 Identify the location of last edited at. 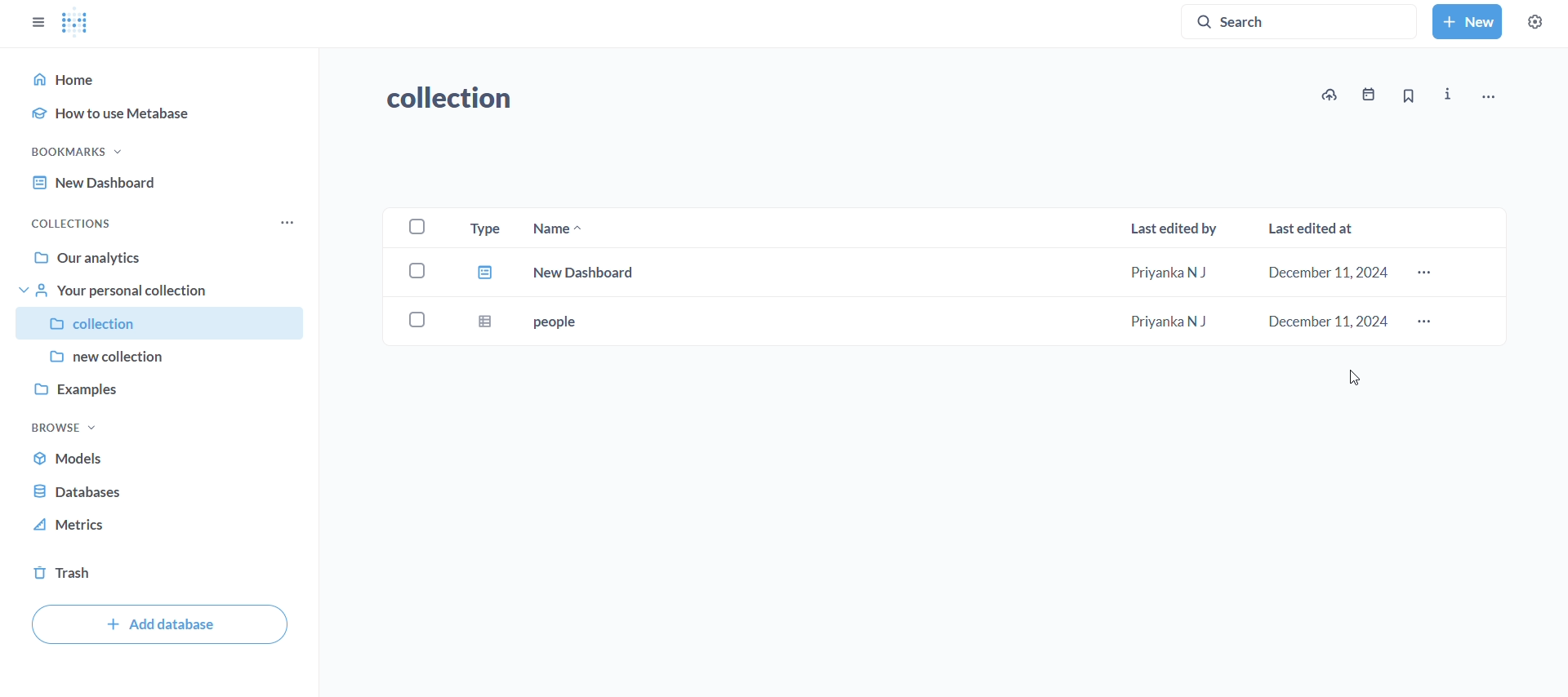
(1315, 229).